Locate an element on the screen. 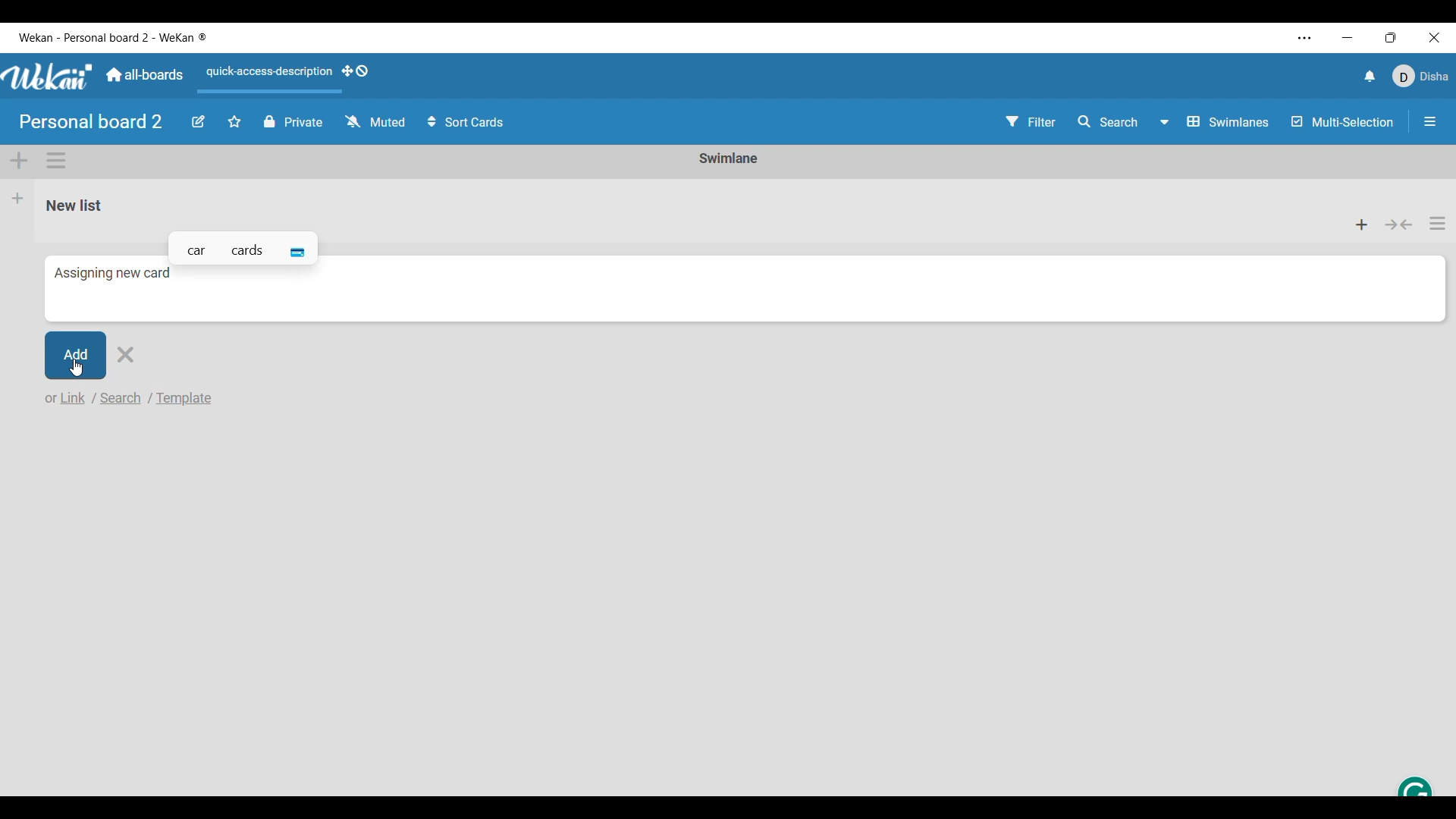  Show interface in a smaller tab  is located at coordinates (1392, 37).